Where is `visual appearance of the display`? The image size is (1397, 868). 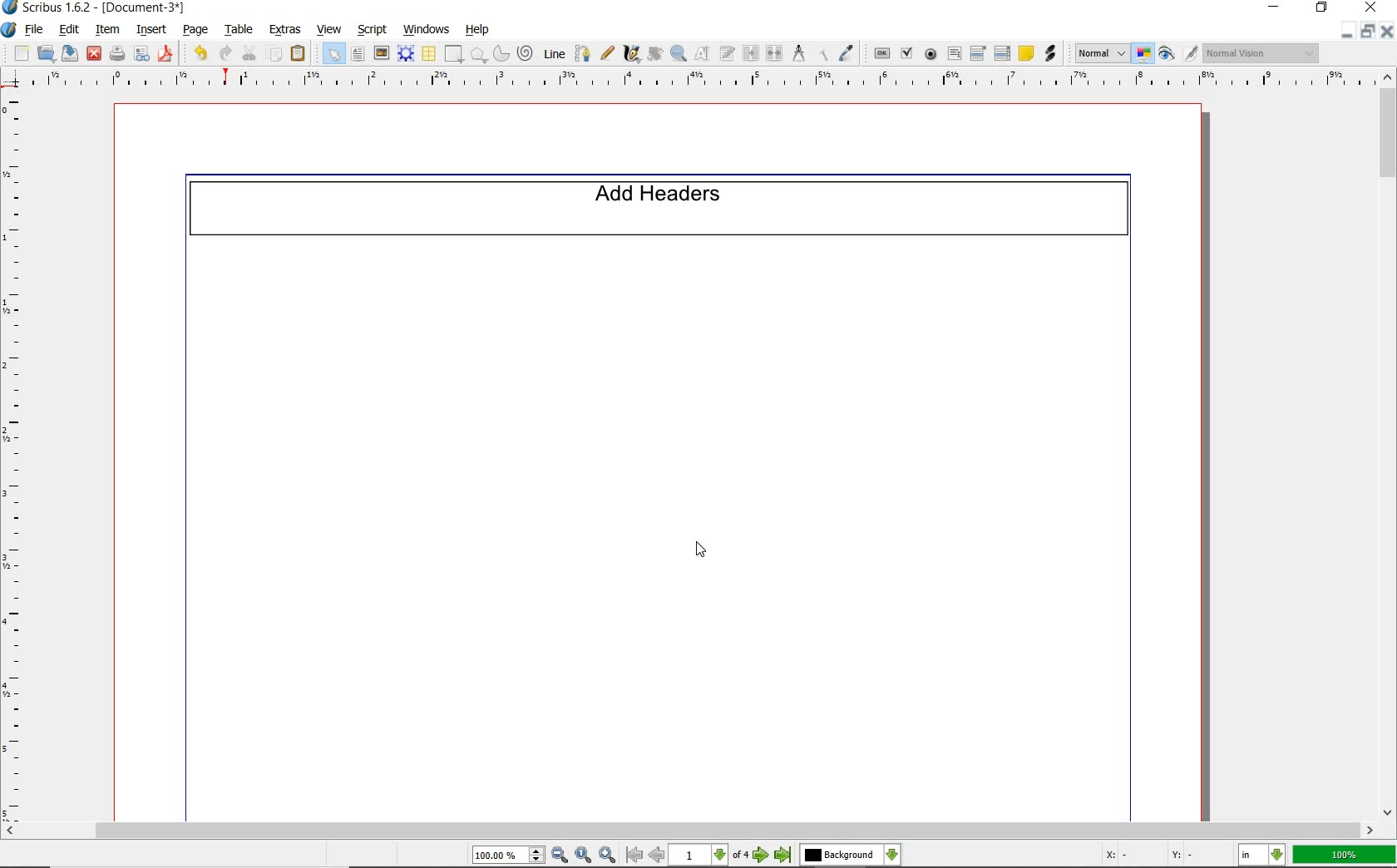
visual appearance of the display is located at coordinates (1263, 52).